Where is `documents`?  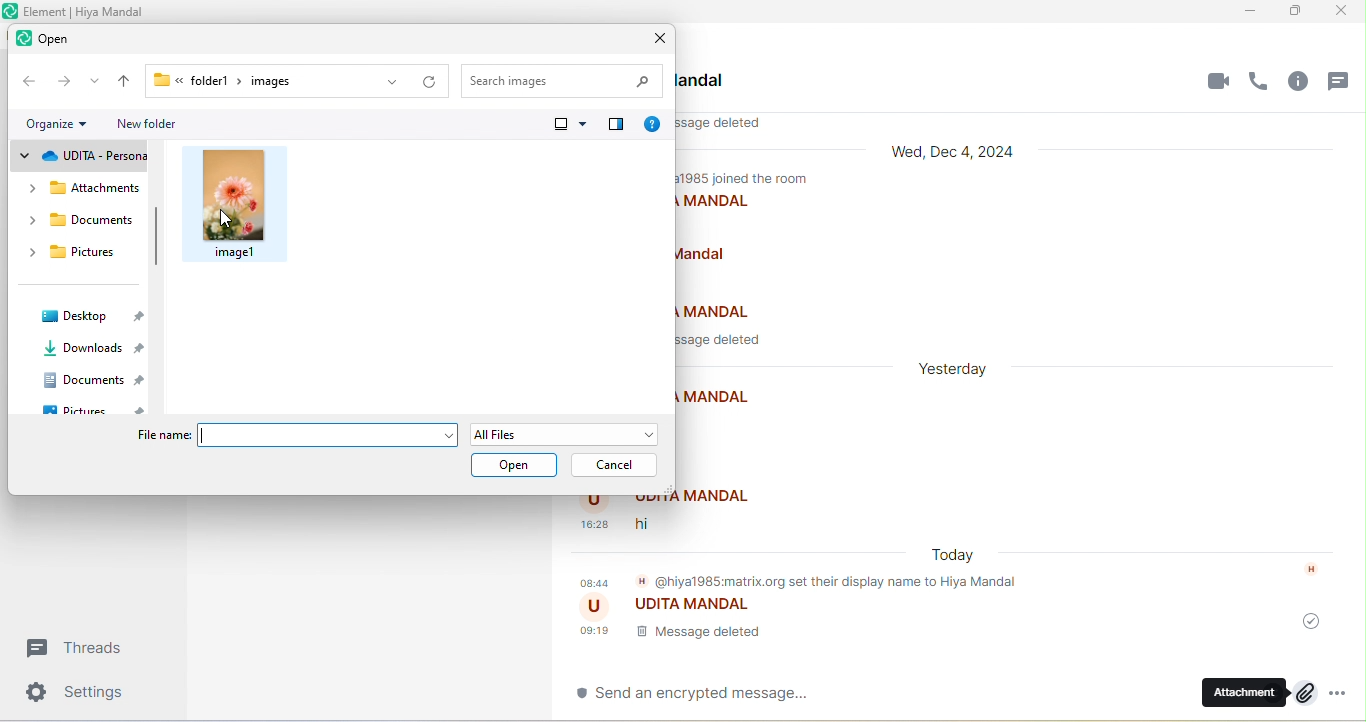 documents is located at coordinates (76, 223).